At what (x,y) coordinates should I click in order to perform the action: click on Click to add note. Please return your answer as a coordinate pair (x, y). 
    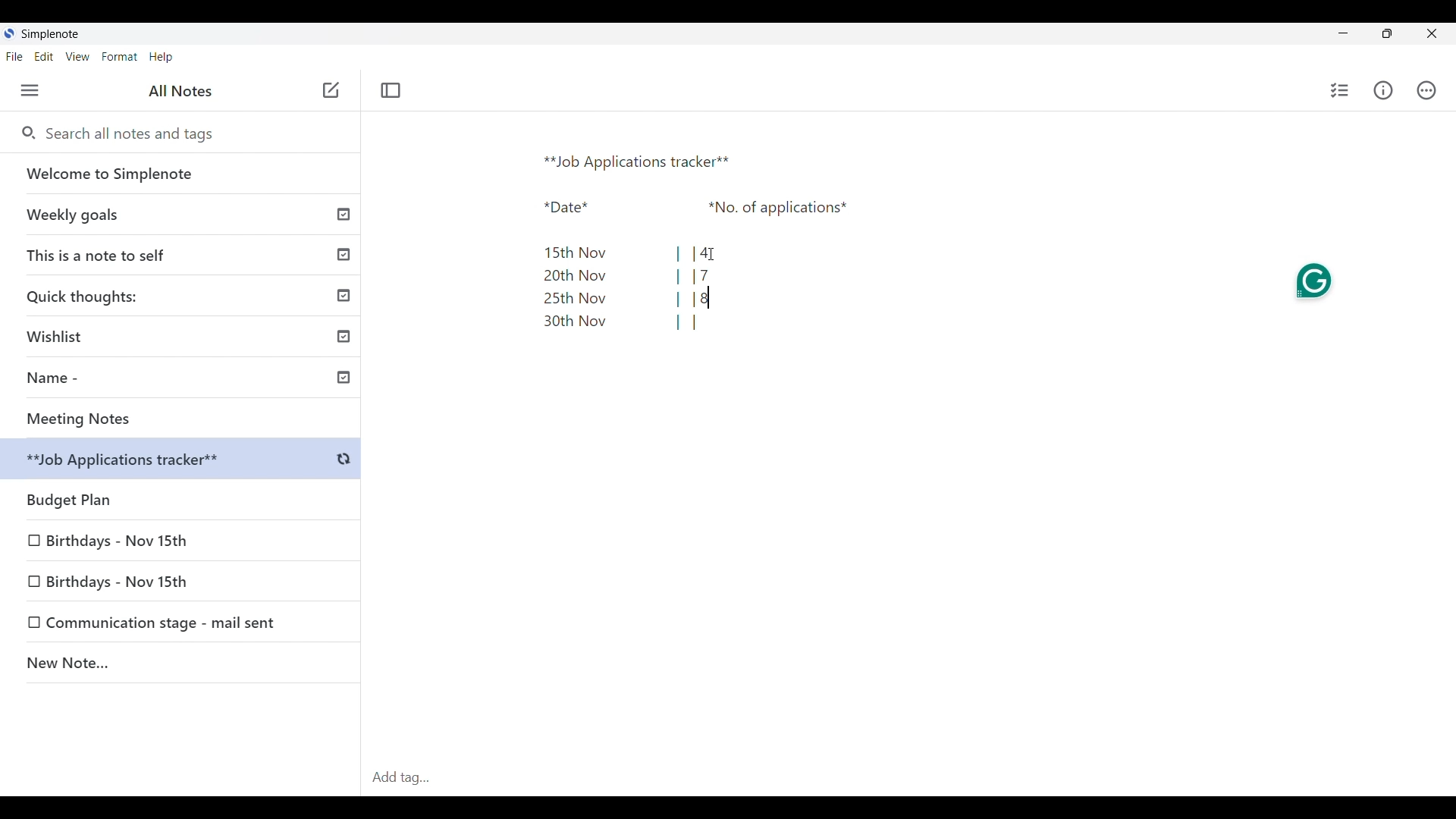
    Looking at the image, I should click on (332, 89).